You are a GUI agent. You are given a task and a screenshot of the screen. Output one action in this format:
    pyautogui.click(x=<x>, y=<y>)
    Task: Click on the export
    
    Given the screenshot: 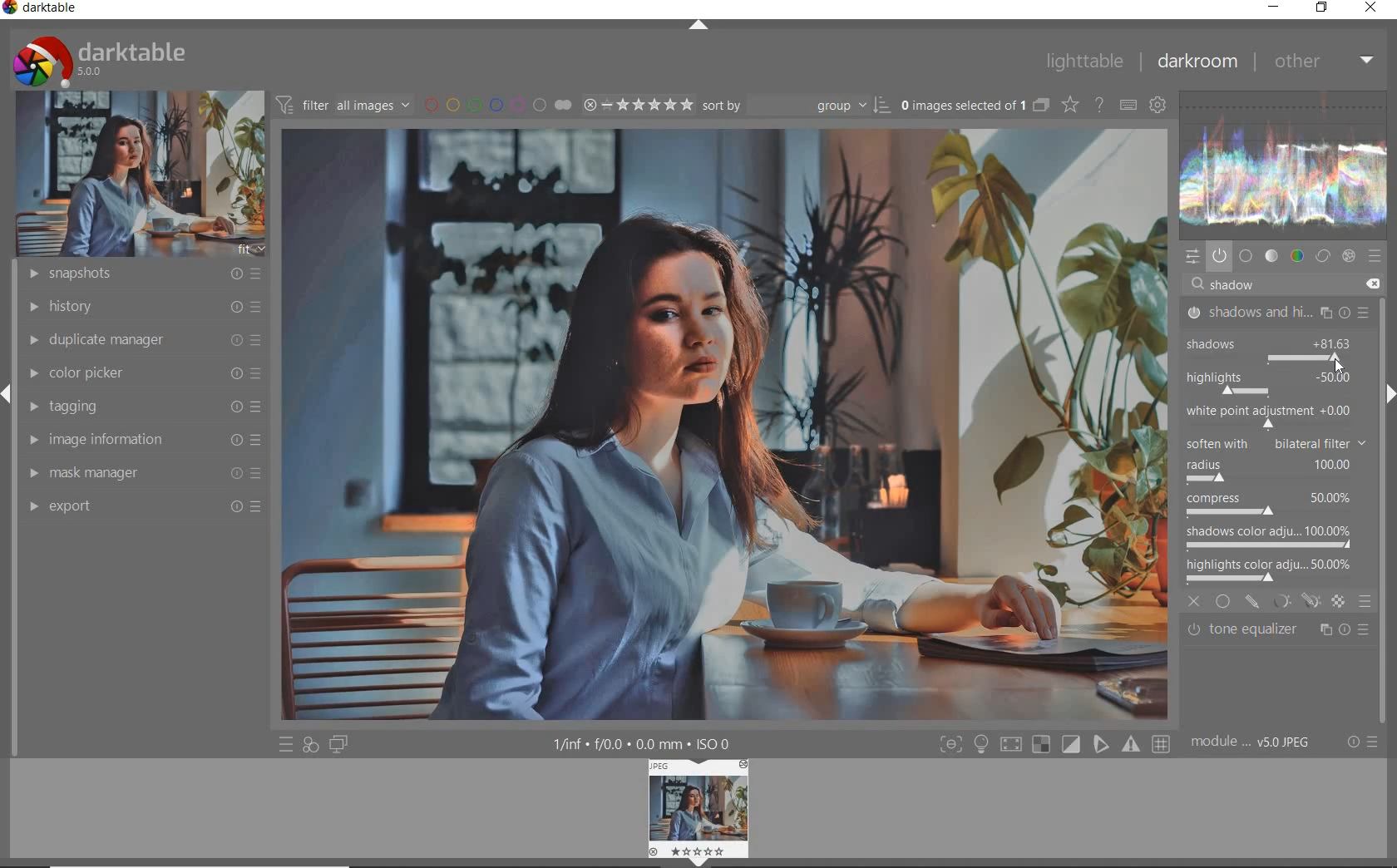 What is the action you would take?
    pyautogui.click(x=142, y=506)
    